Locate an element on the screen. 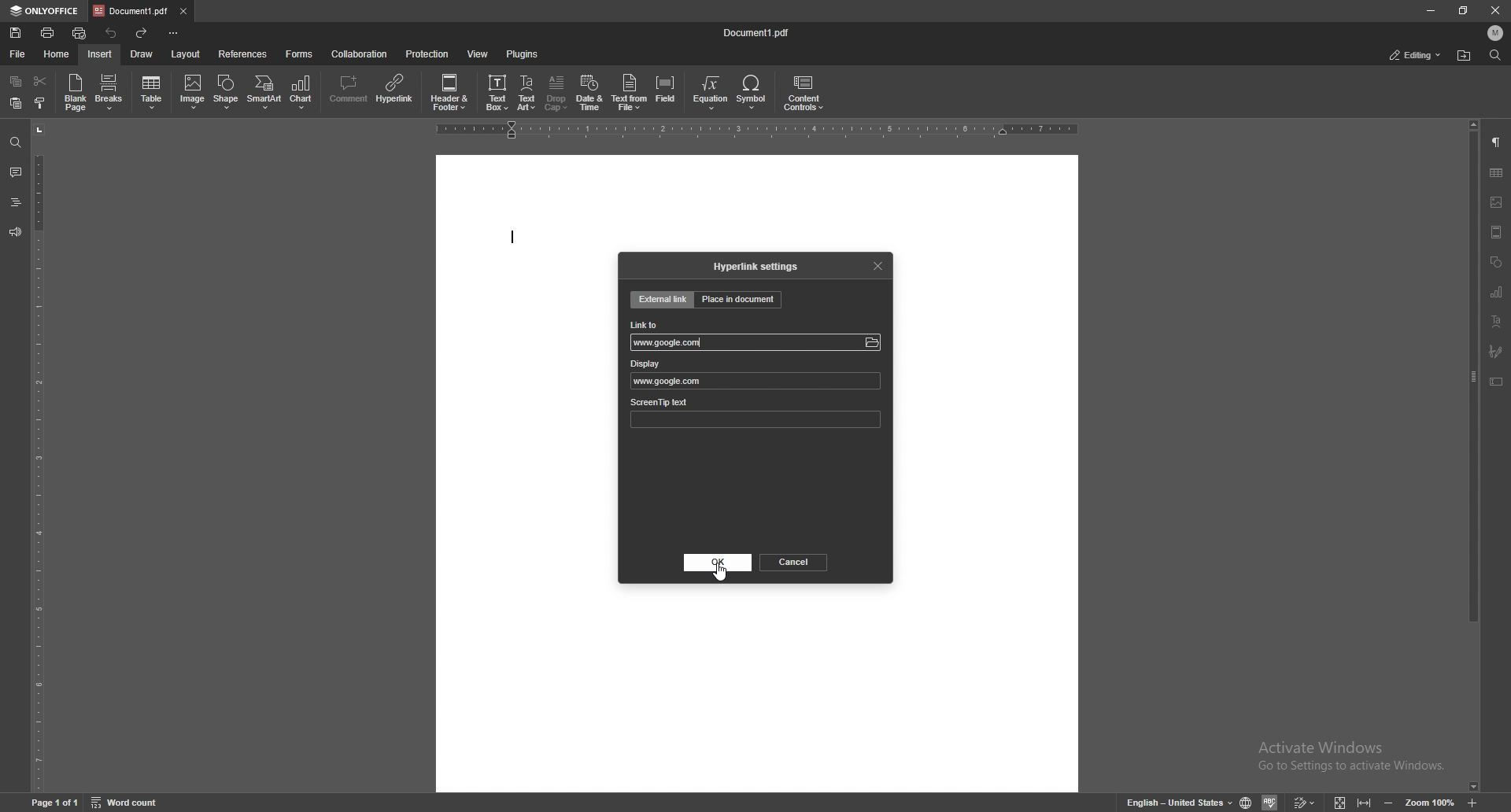  plugins is located at coordinates (522, 54).